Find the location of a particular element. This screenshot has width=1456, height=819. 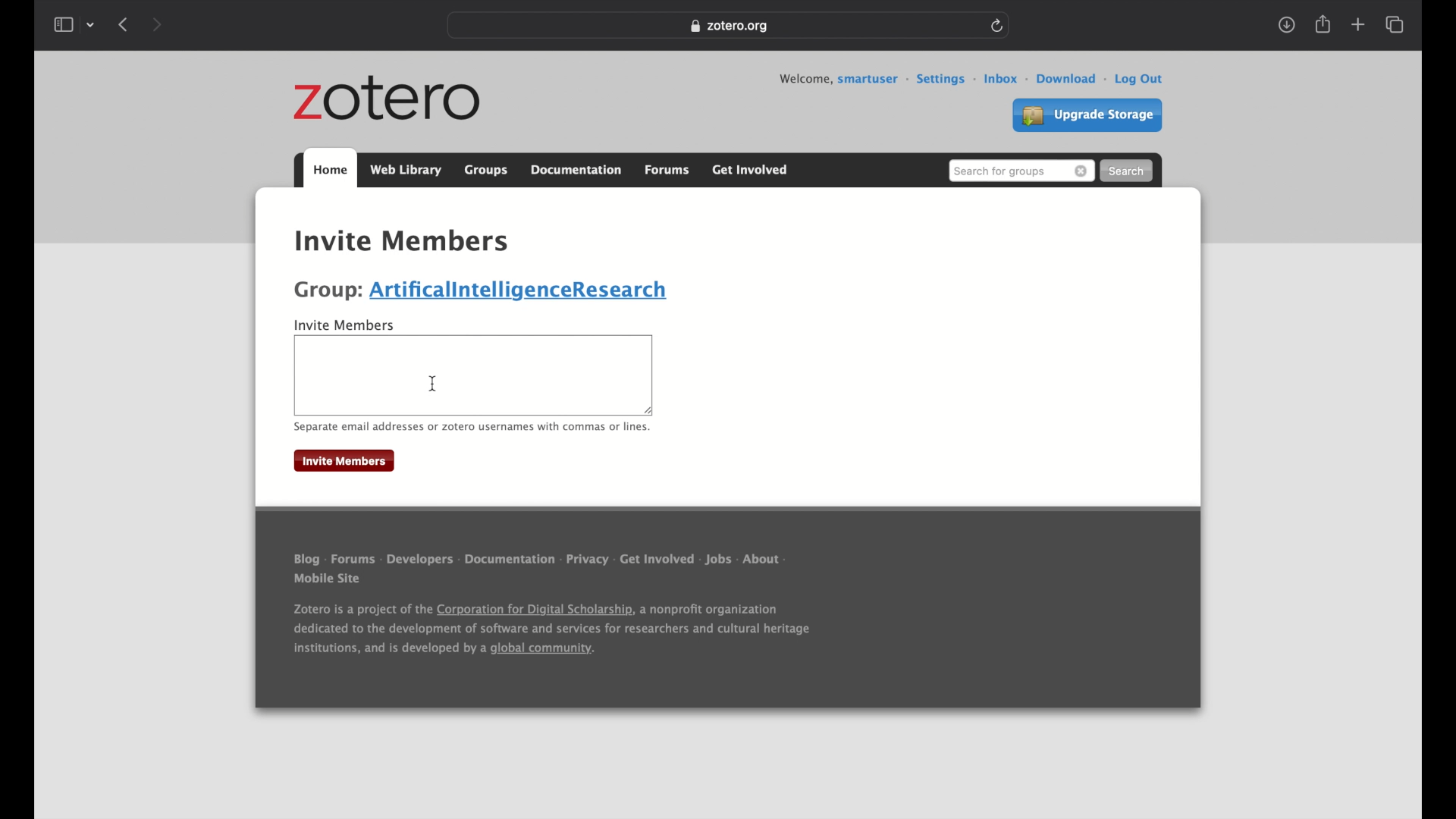

settings is located at coordinates (600, 213).